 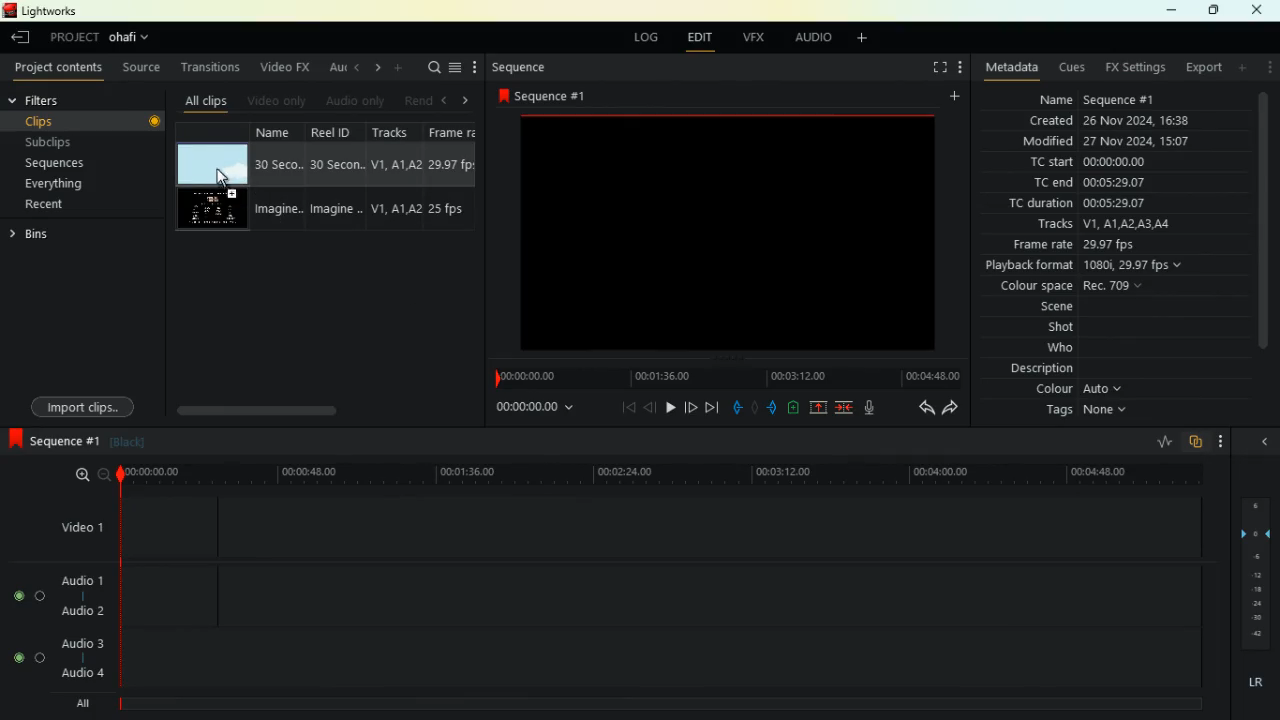 I want to click on maximize, so click(x=1215, y=11).